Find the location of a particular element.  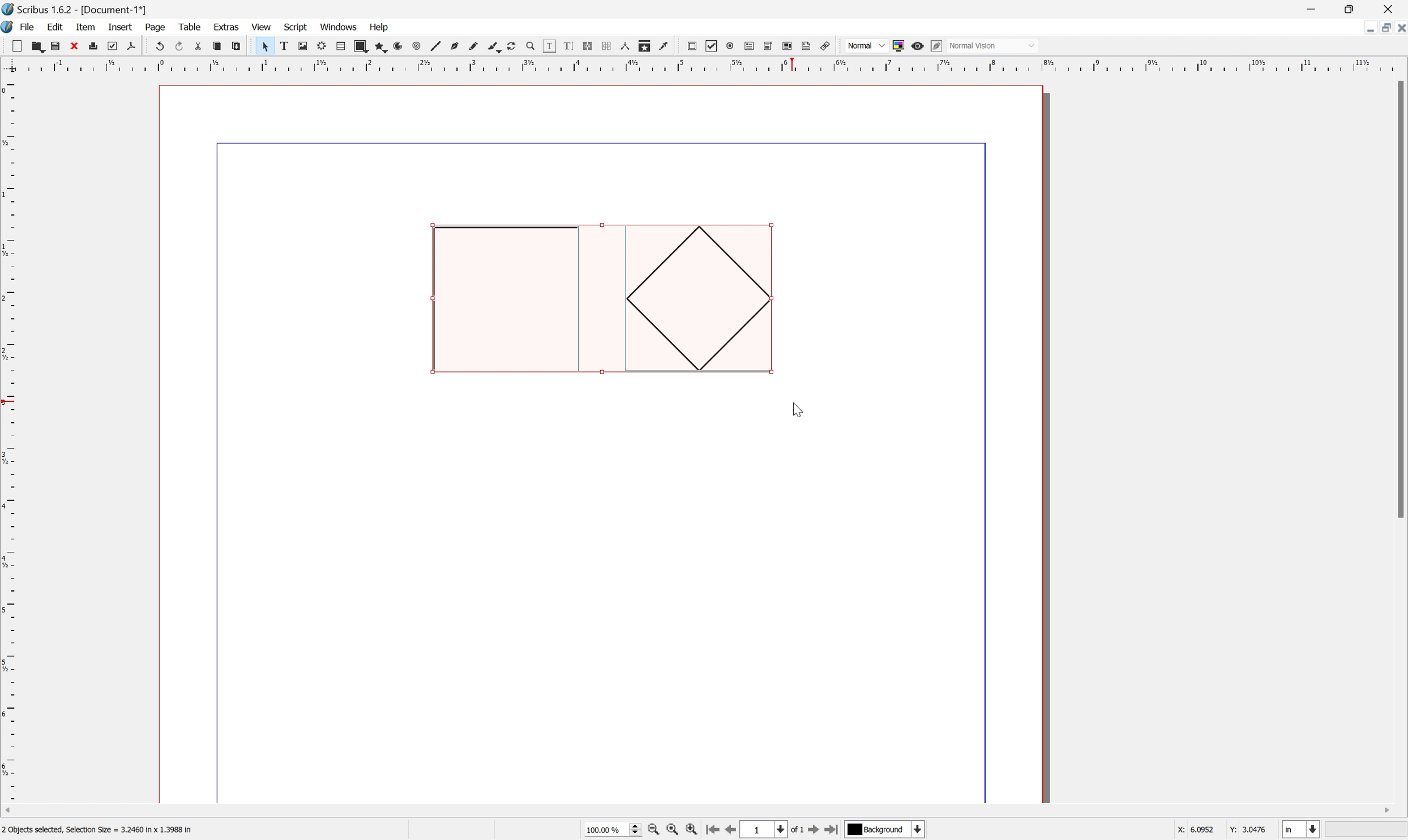

cut is located at coordinates (196, 46).